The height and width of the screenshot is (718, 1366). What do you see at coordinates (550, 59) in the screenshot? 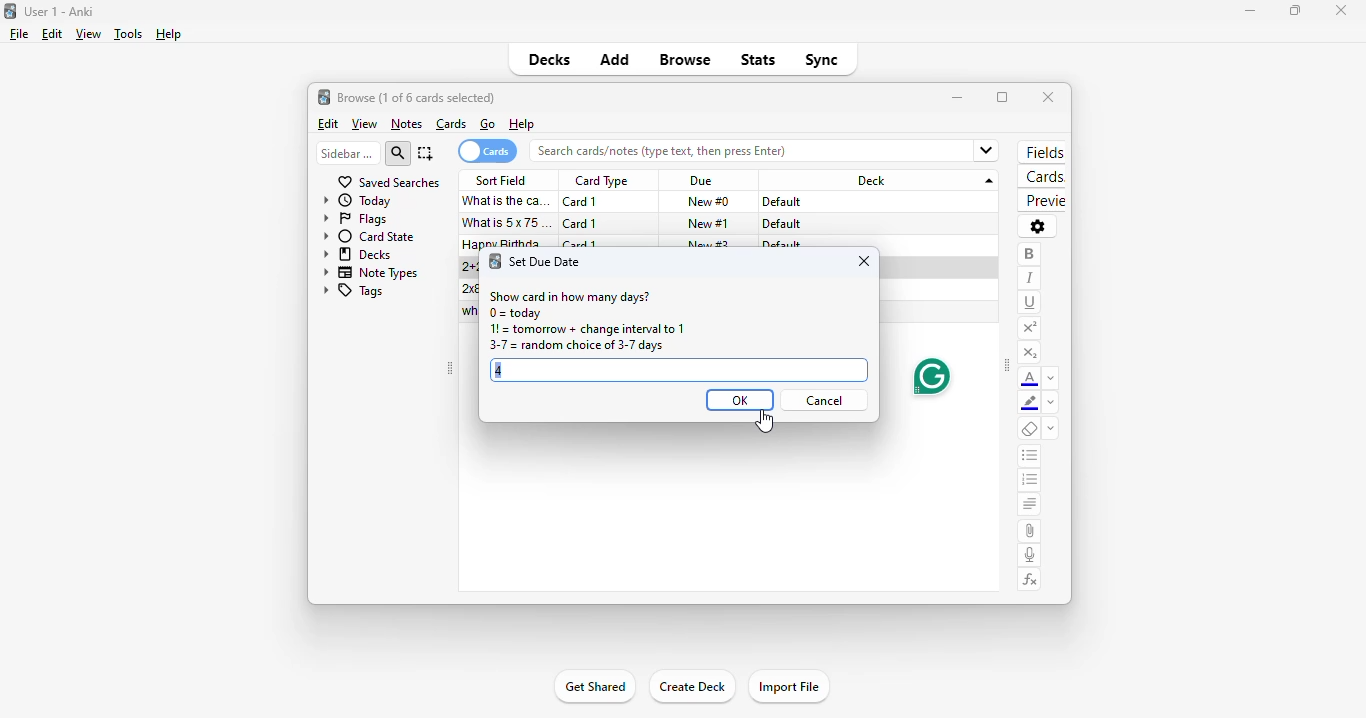
I see `decks` at bounding box center [550, 59].